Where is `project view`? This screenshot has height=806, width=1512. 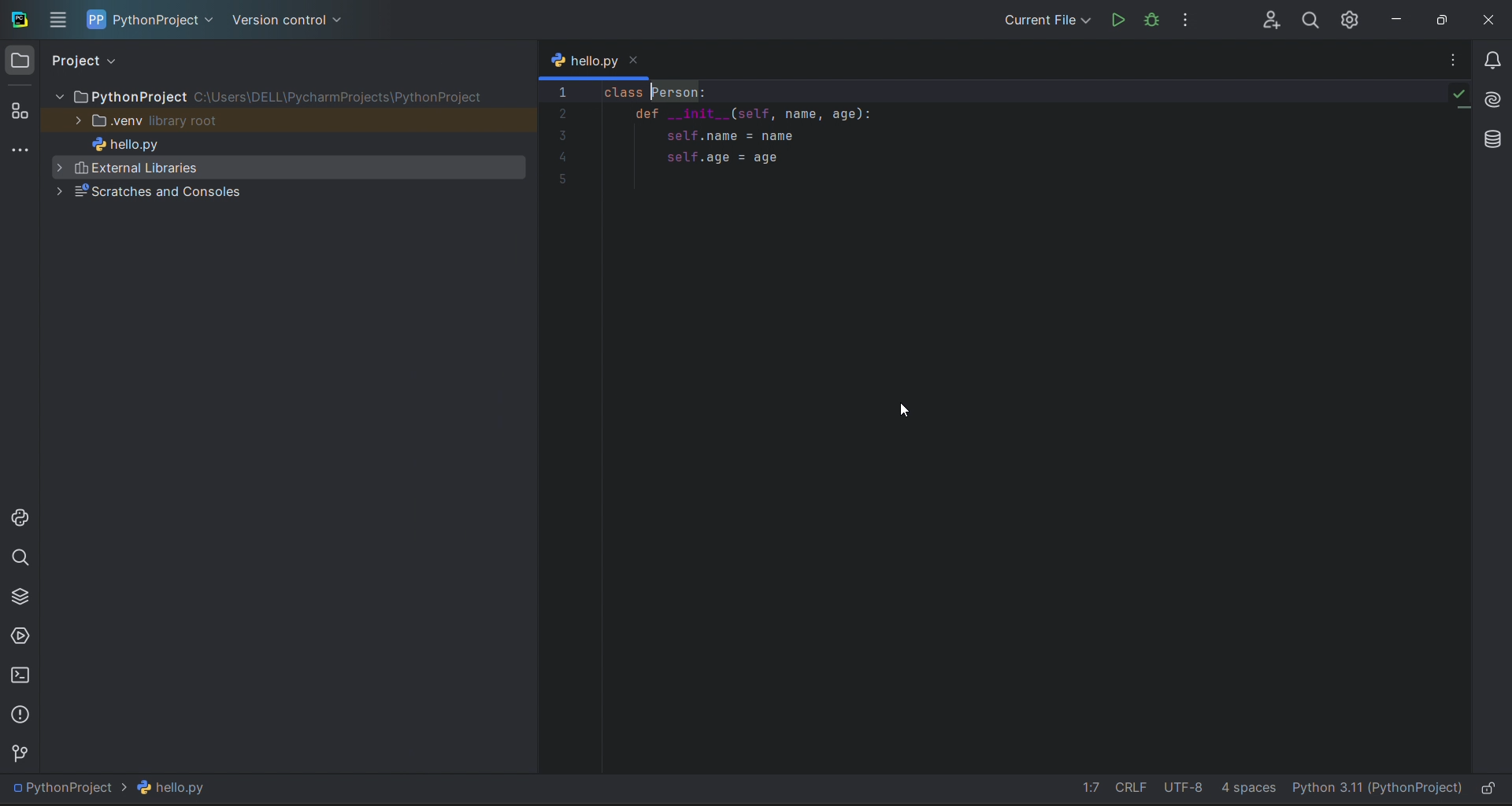
project view is located at coordinates (84, 61).